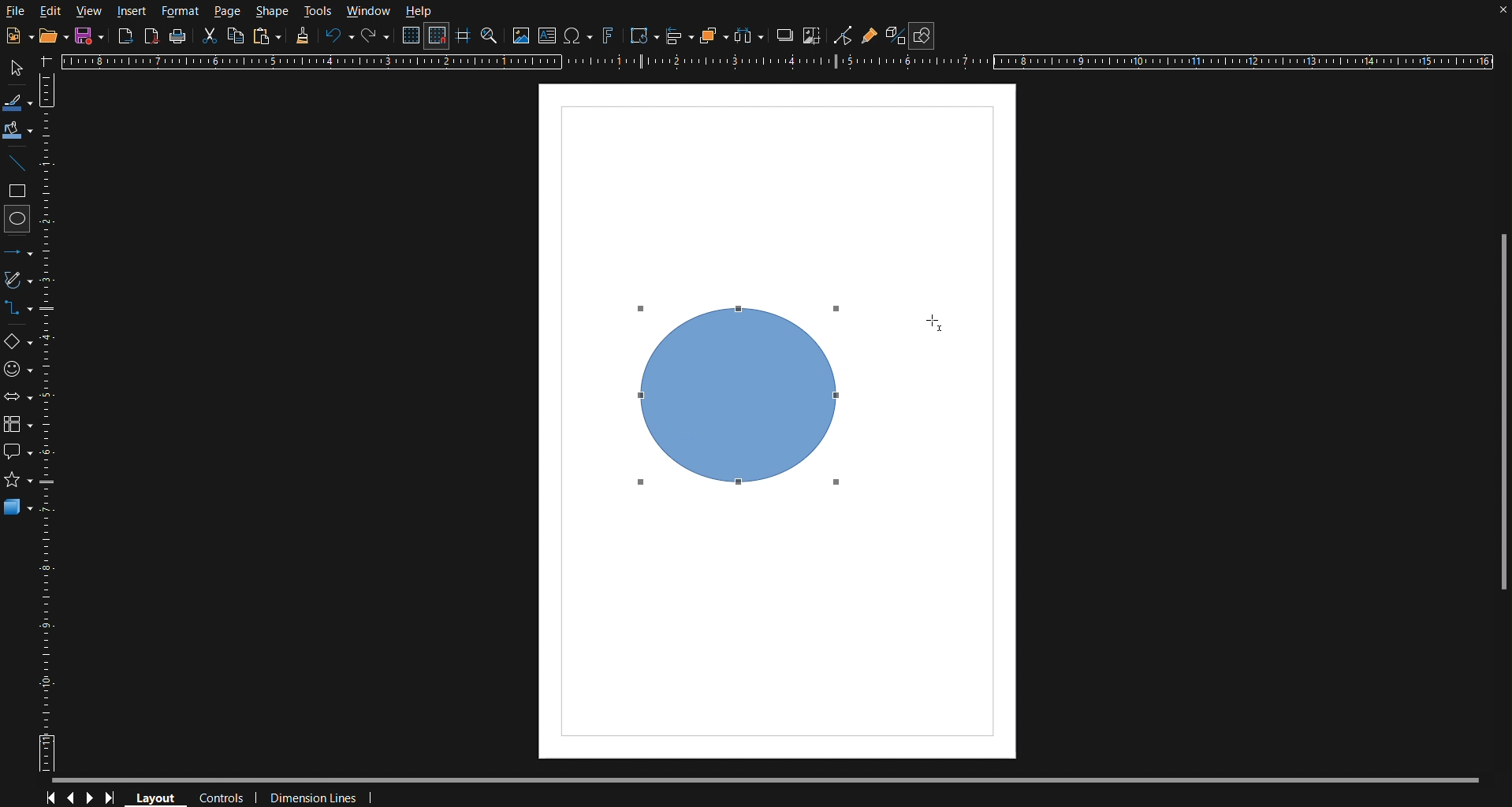 Image resolution: width=1512 pixels, height=807 pixels. What do you see at coordinates (18, 373) in the screenshot?
I see `Symbol Shapes` at bounding box center [18, 373].